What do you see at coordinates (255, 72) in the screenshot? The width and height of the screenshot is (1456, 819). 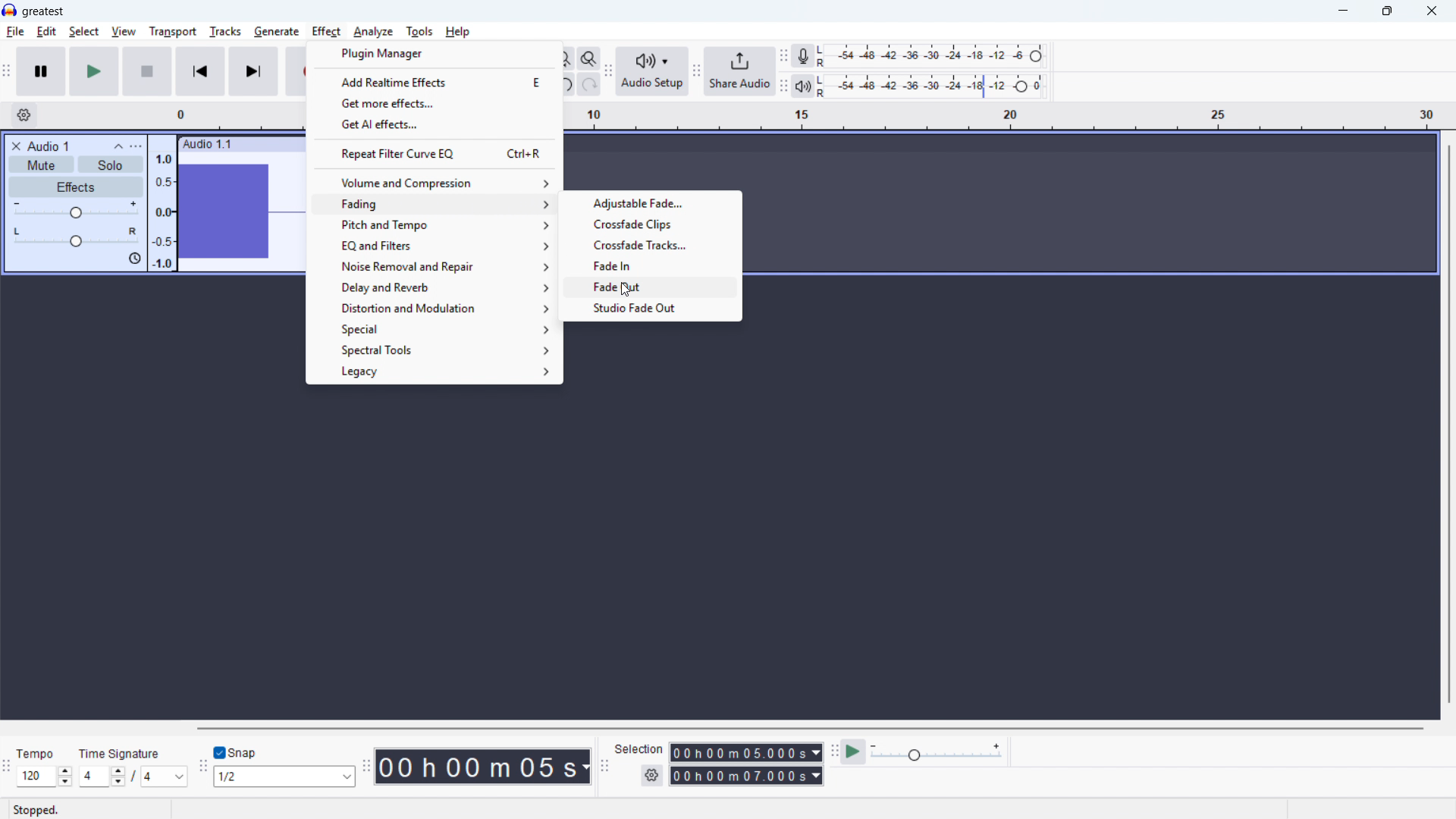 I see `Skip to end ` at bounding box center [255, 72].